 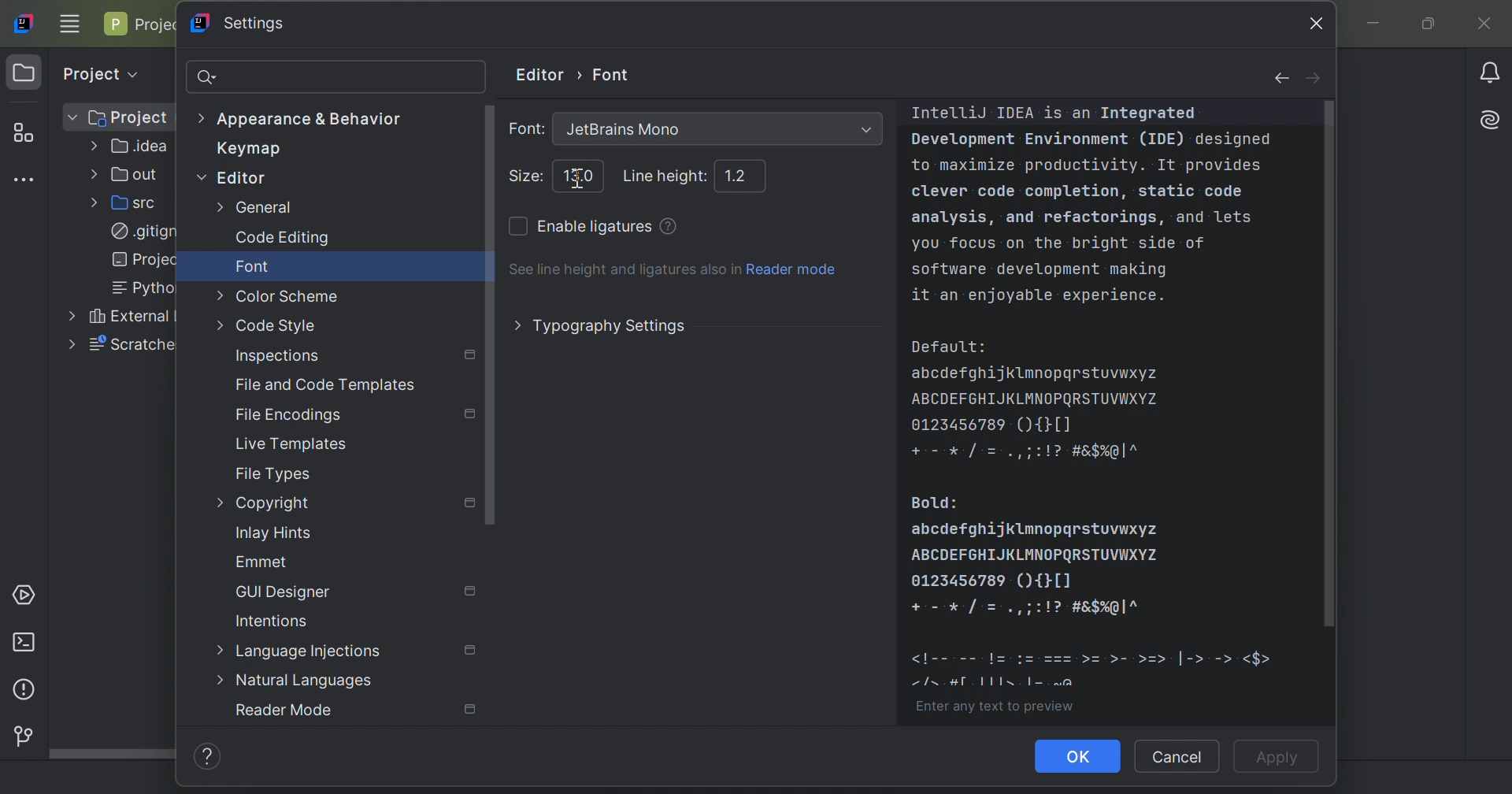 What do you see at coordinates (471, 358) in the screenshot?
I see `Settings marked with this icon are only applied to the current project. Non-marked settings are applied to all projects.` at bounding box center [471, 358].